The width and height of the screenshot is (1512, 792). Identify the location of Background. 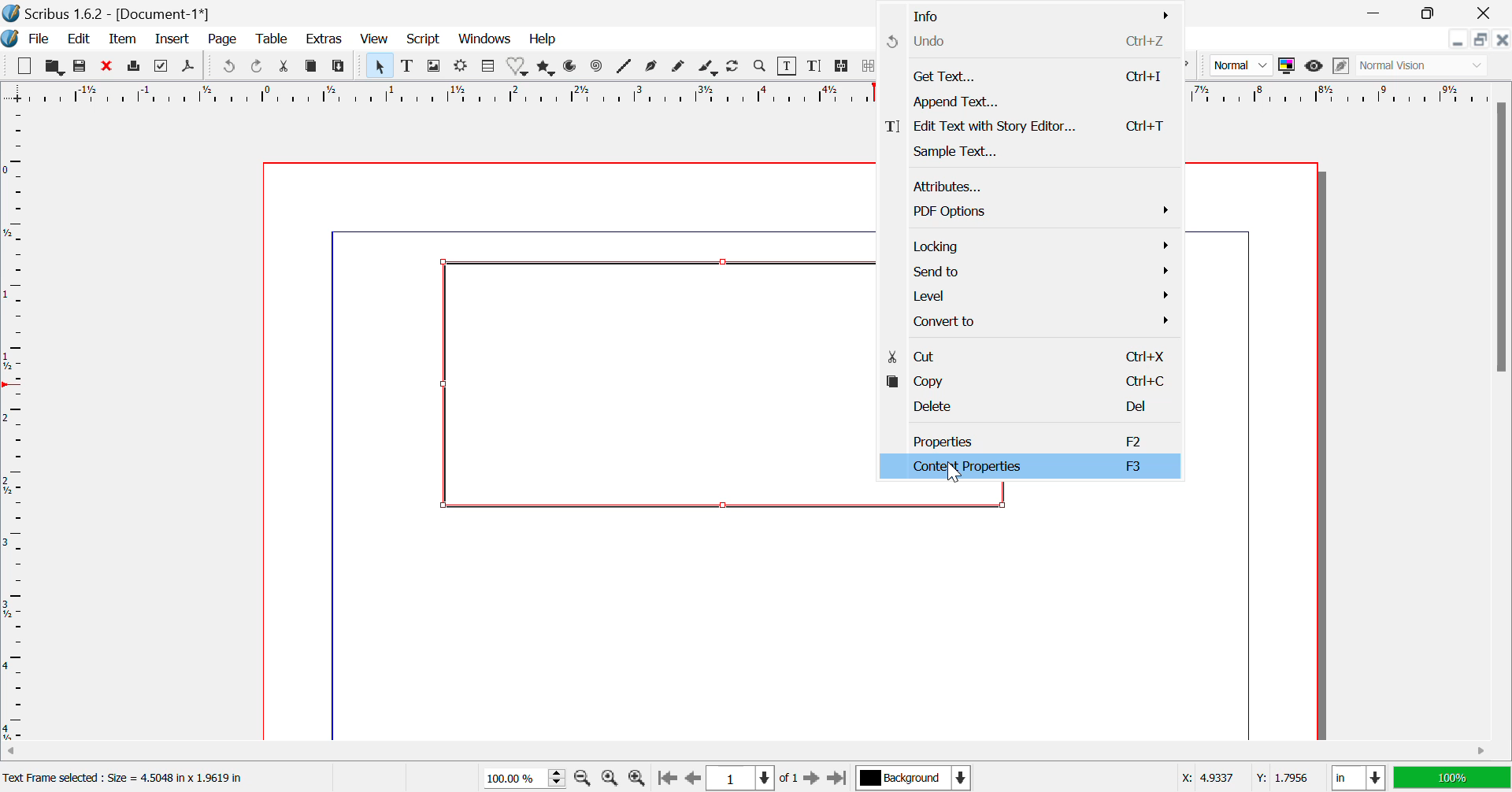
(912, 777).